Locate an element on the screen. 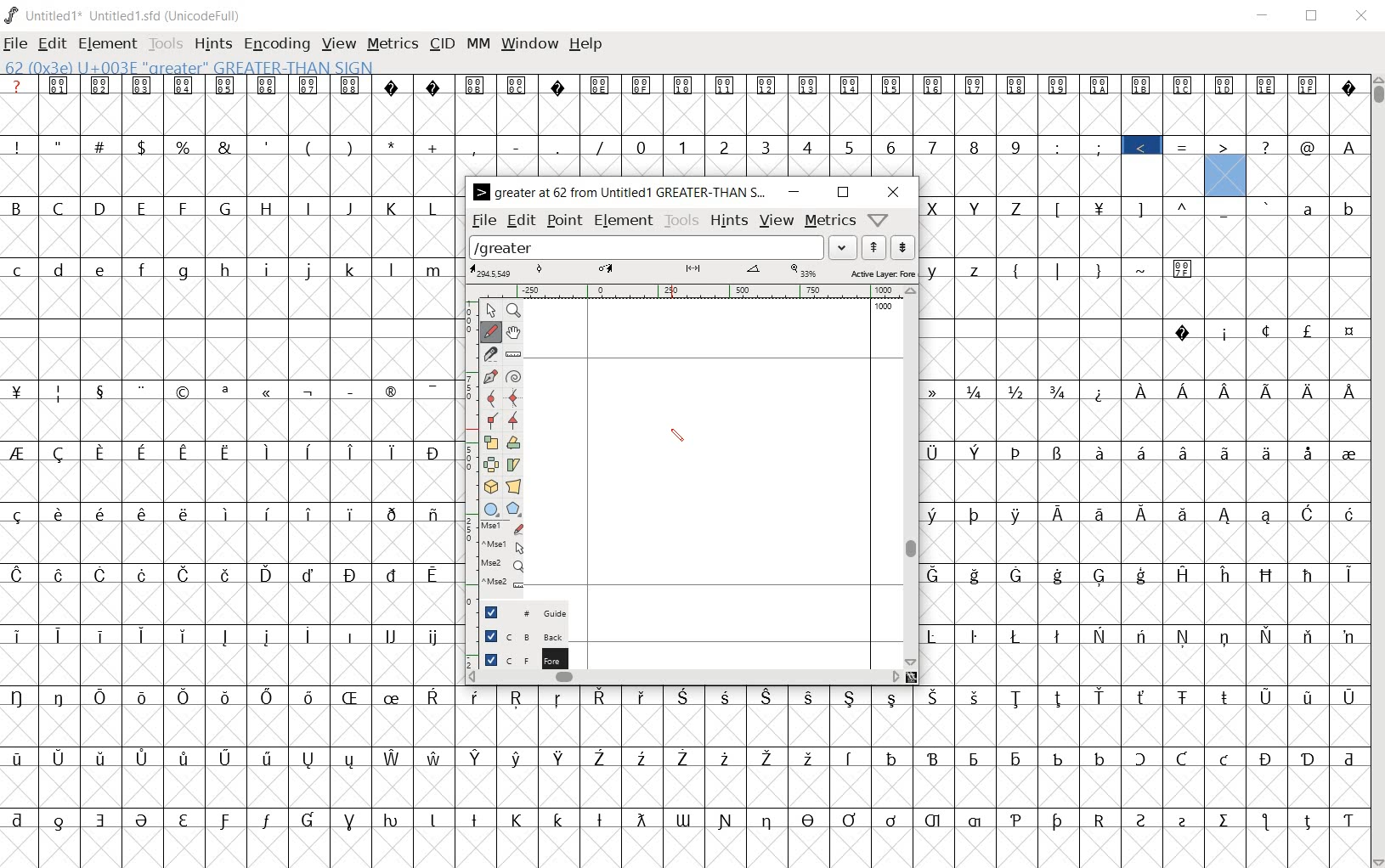 This screenshot has width=1385, height=868. restore down is located at coordinates (843, 192).